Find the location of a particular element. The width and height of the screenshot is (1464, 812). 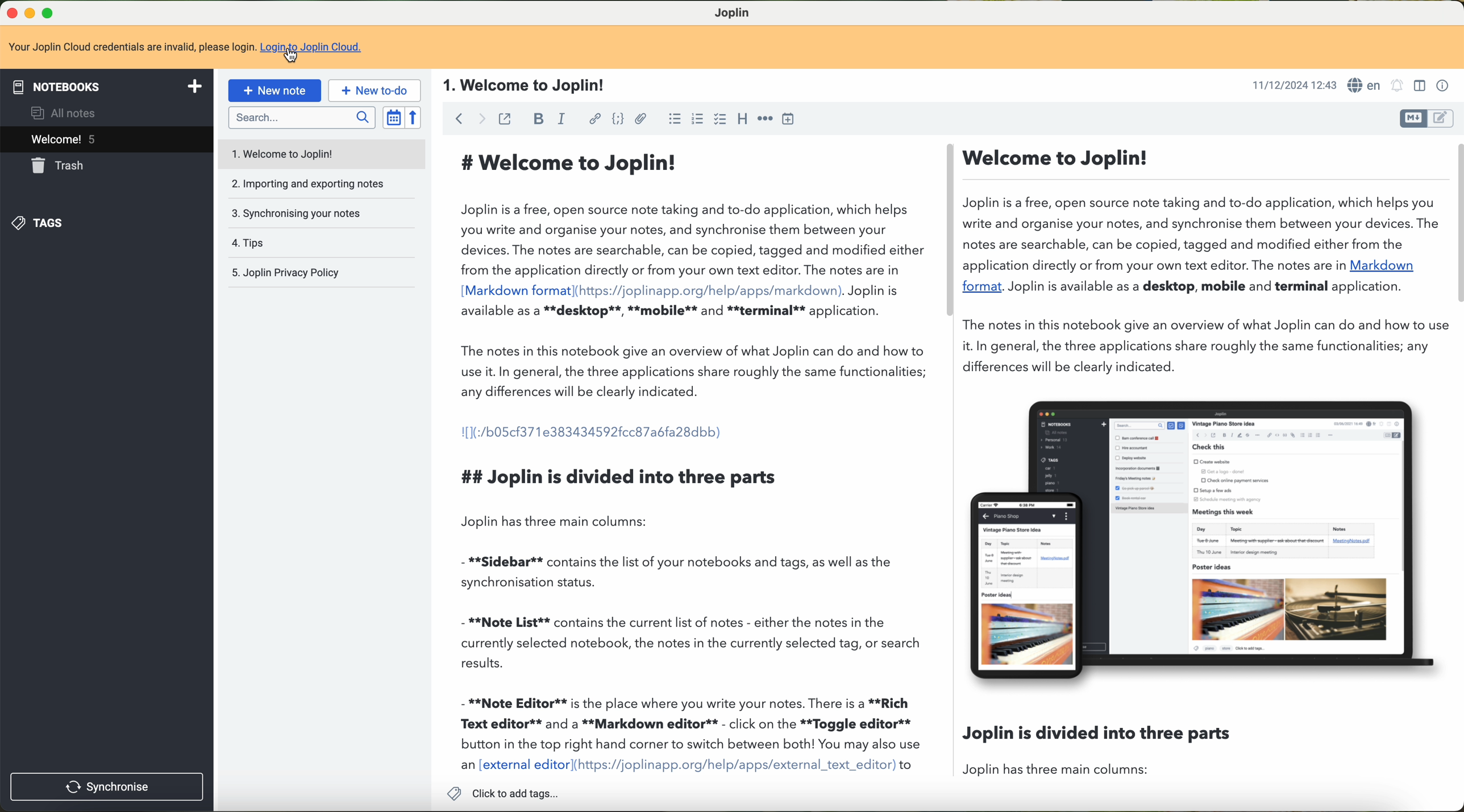

Joplin privacy policy is located at coordinates (321, 272).